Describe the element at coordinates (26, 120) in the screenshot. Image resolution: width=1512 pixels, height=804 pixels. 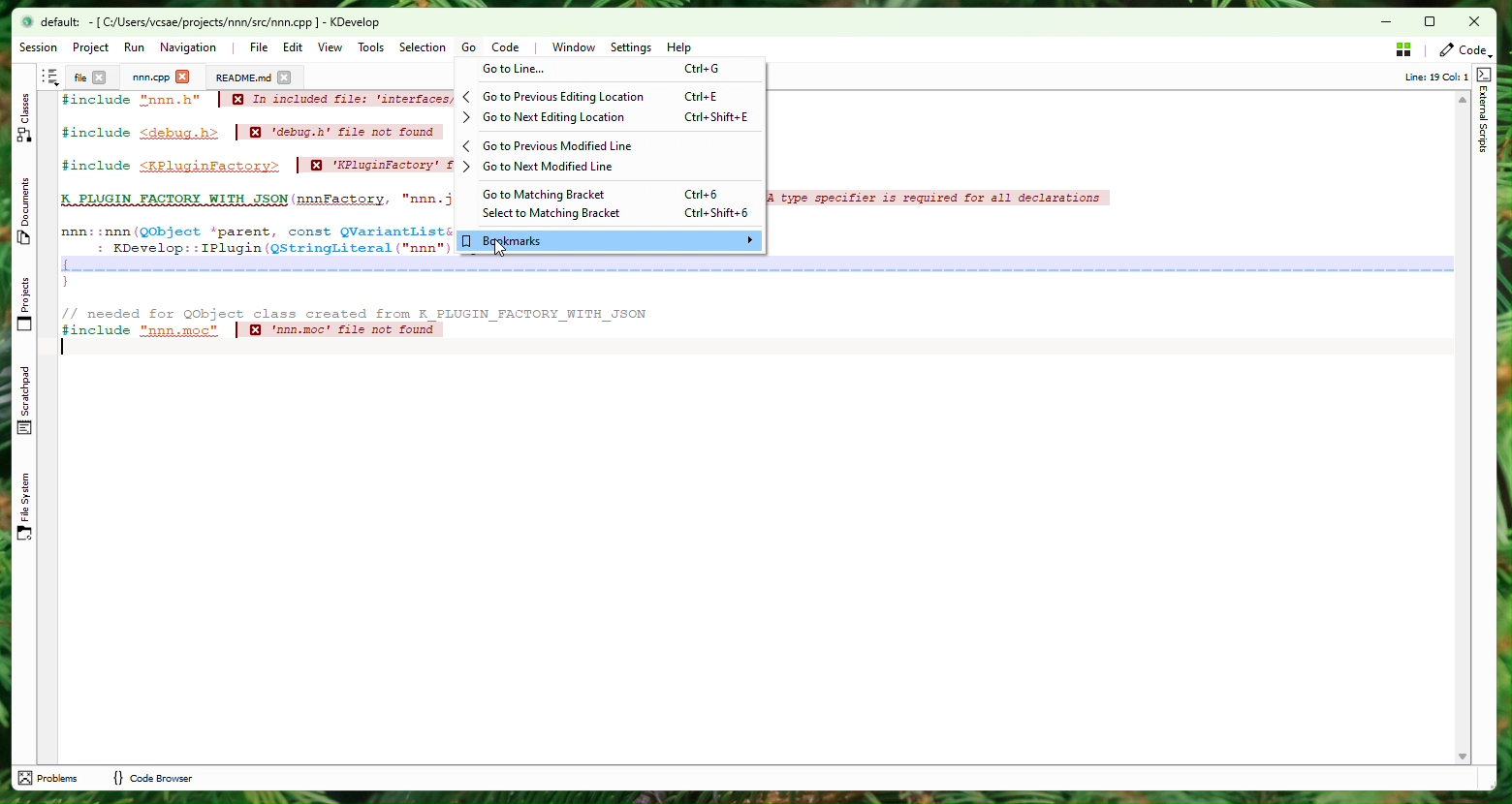
I see `Class` at that location.